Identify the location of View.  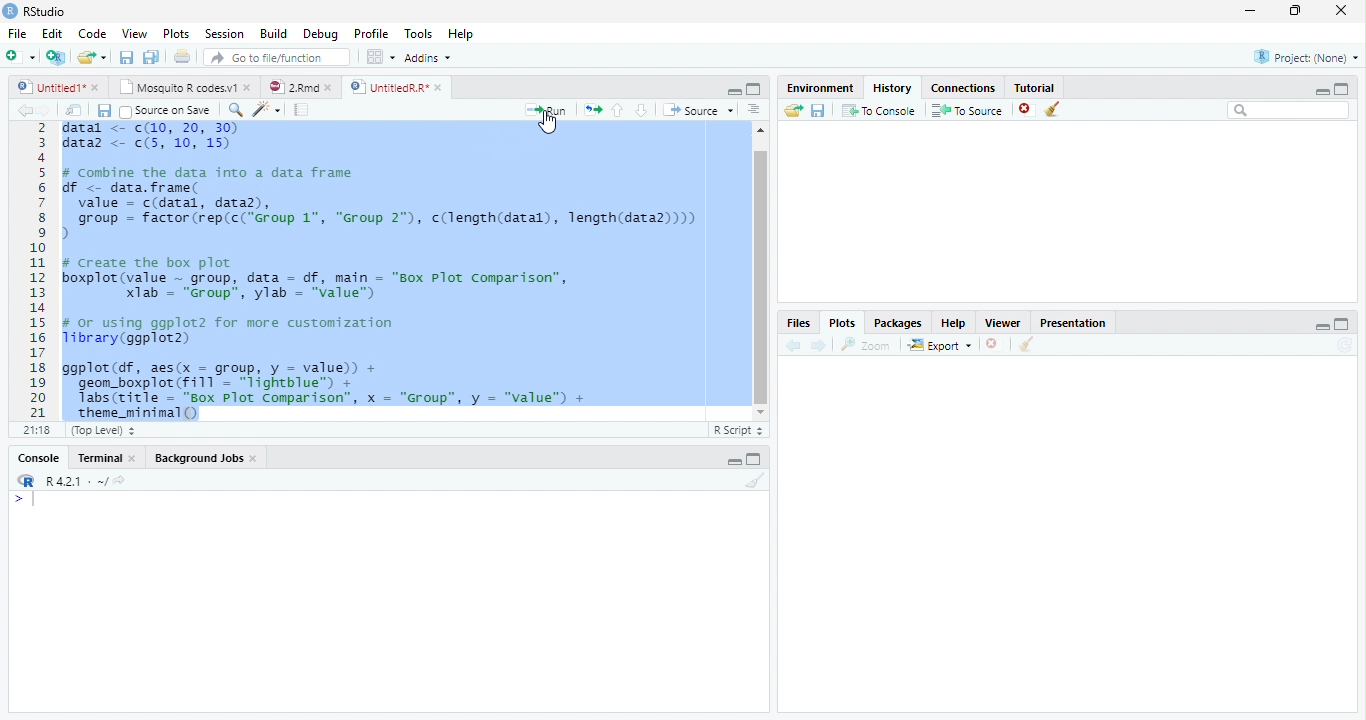
(134, 32).